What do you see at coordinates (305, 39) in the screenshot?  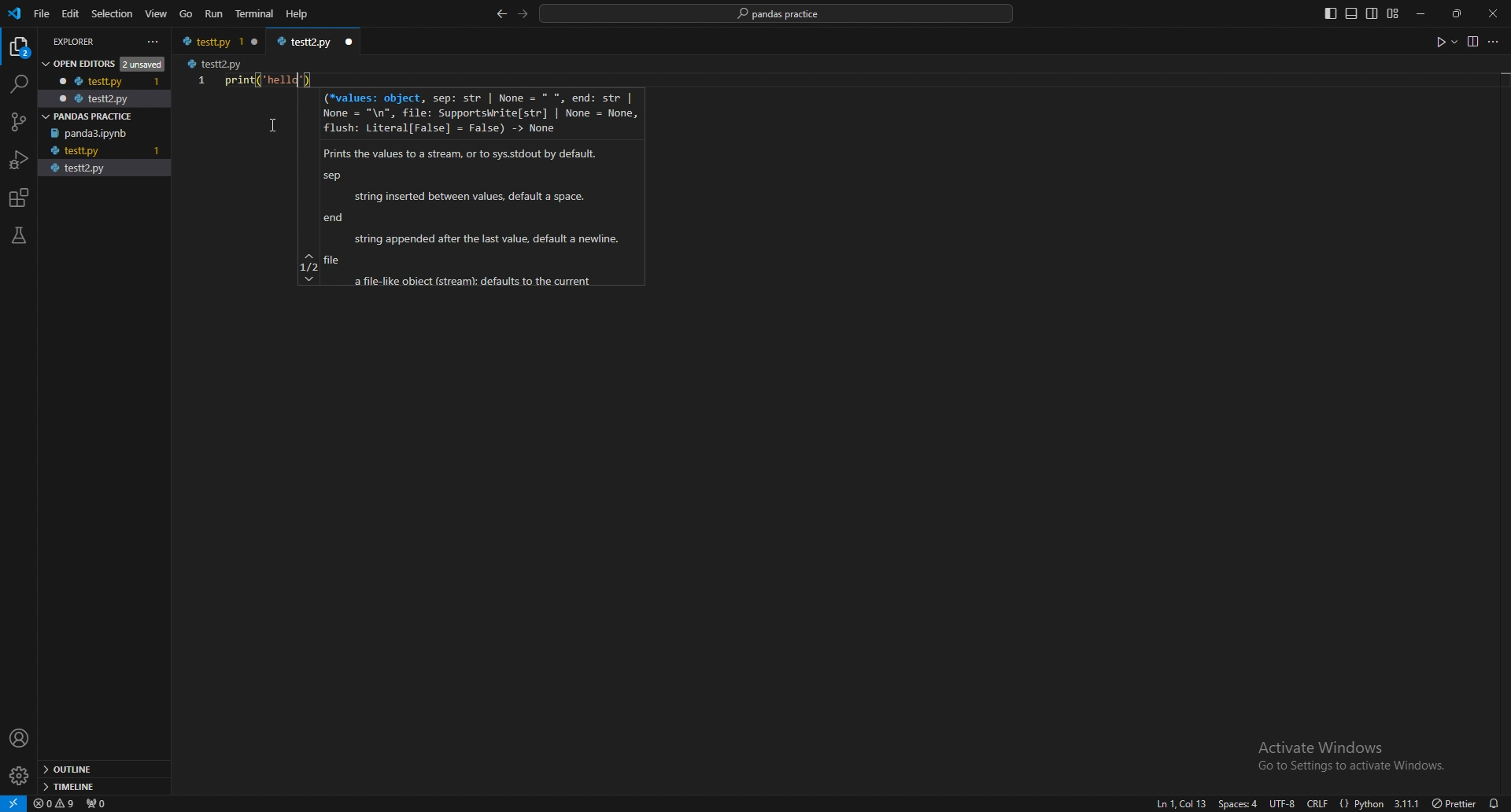 I see `testt2.py` at bounding box center [305, 39].